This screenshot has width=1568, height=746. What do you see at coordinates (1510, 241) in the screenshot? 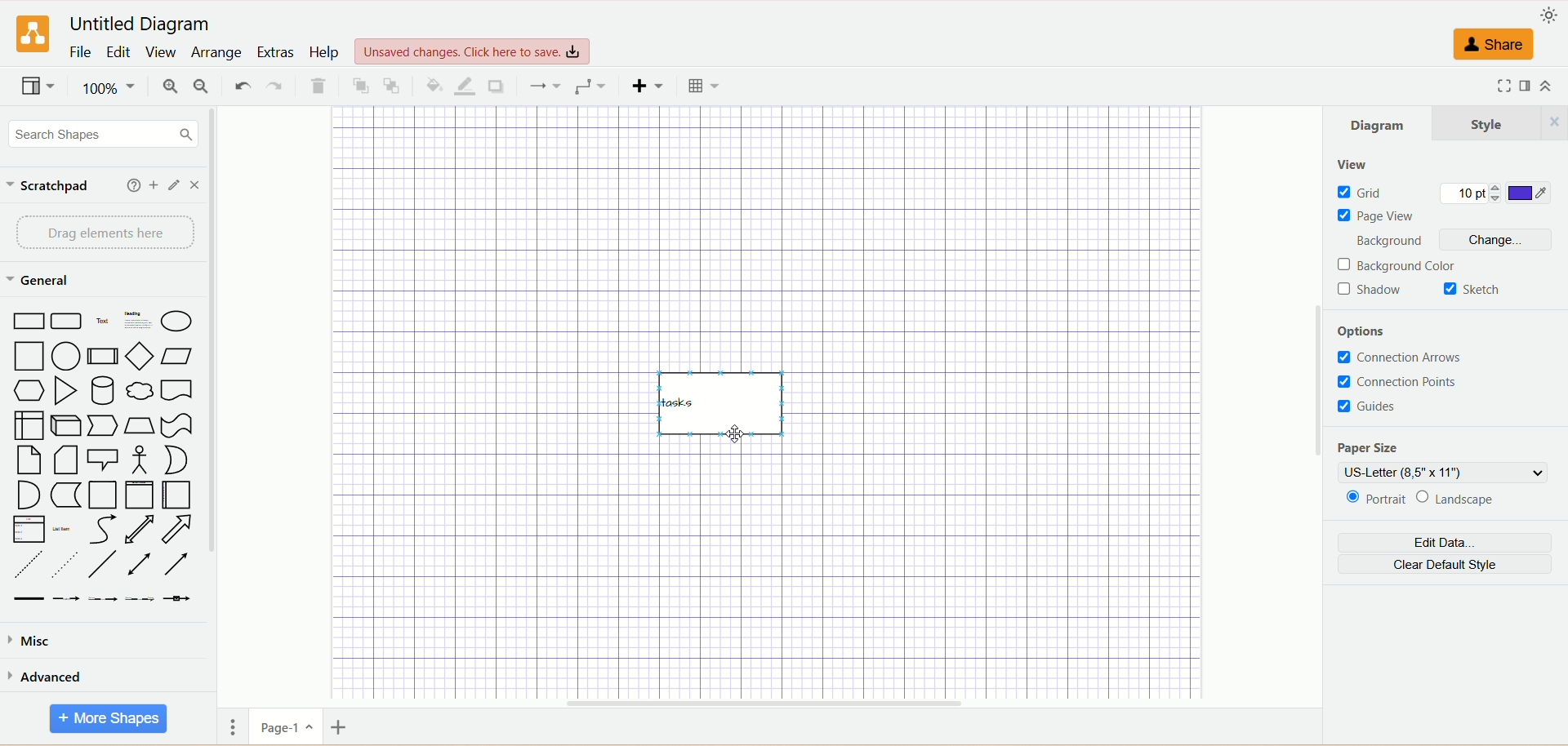
I see `change` at bounding box center [1510, 241].